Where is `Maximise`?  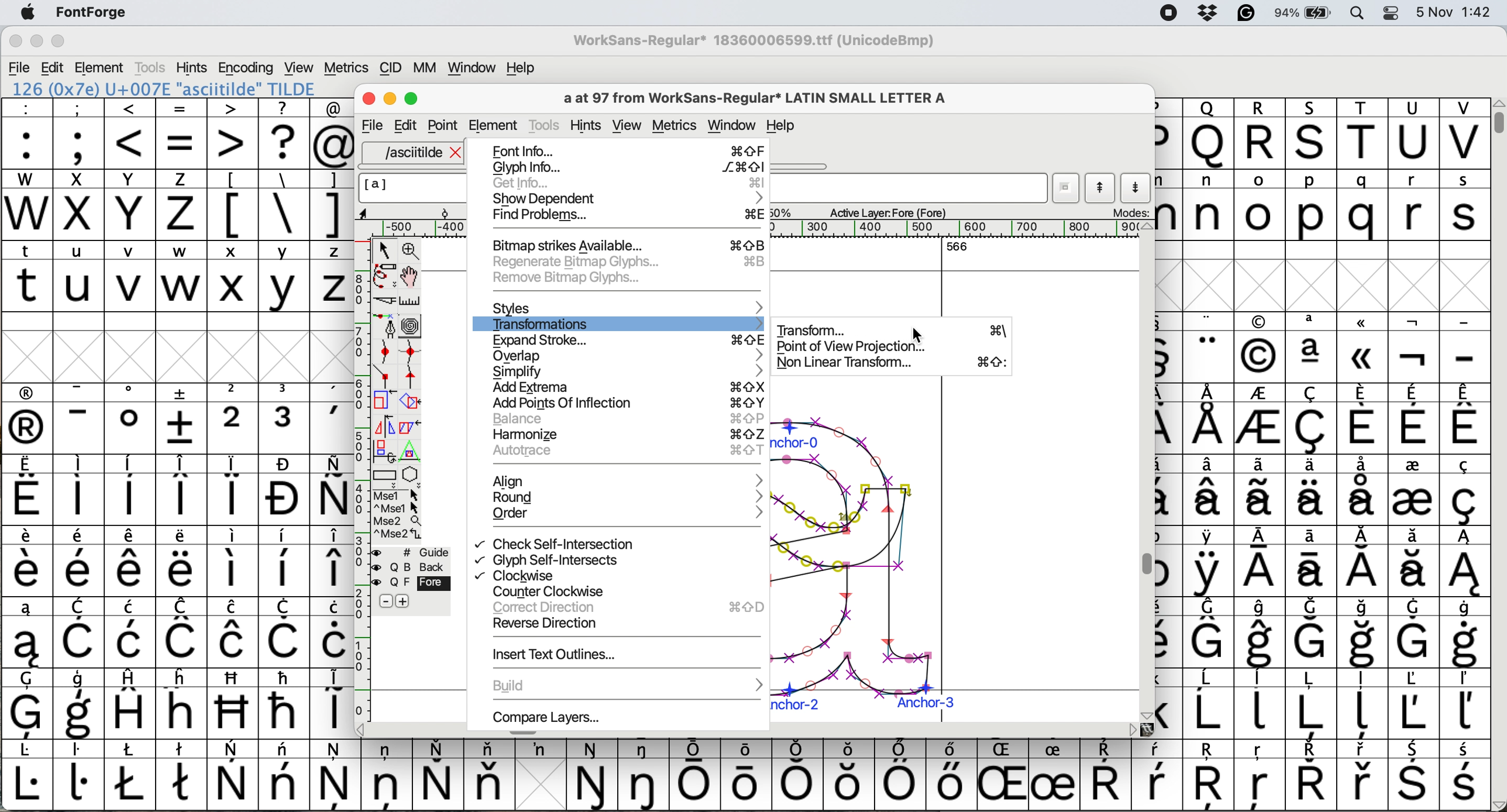 Maximise is located at coordinates (414, 99).